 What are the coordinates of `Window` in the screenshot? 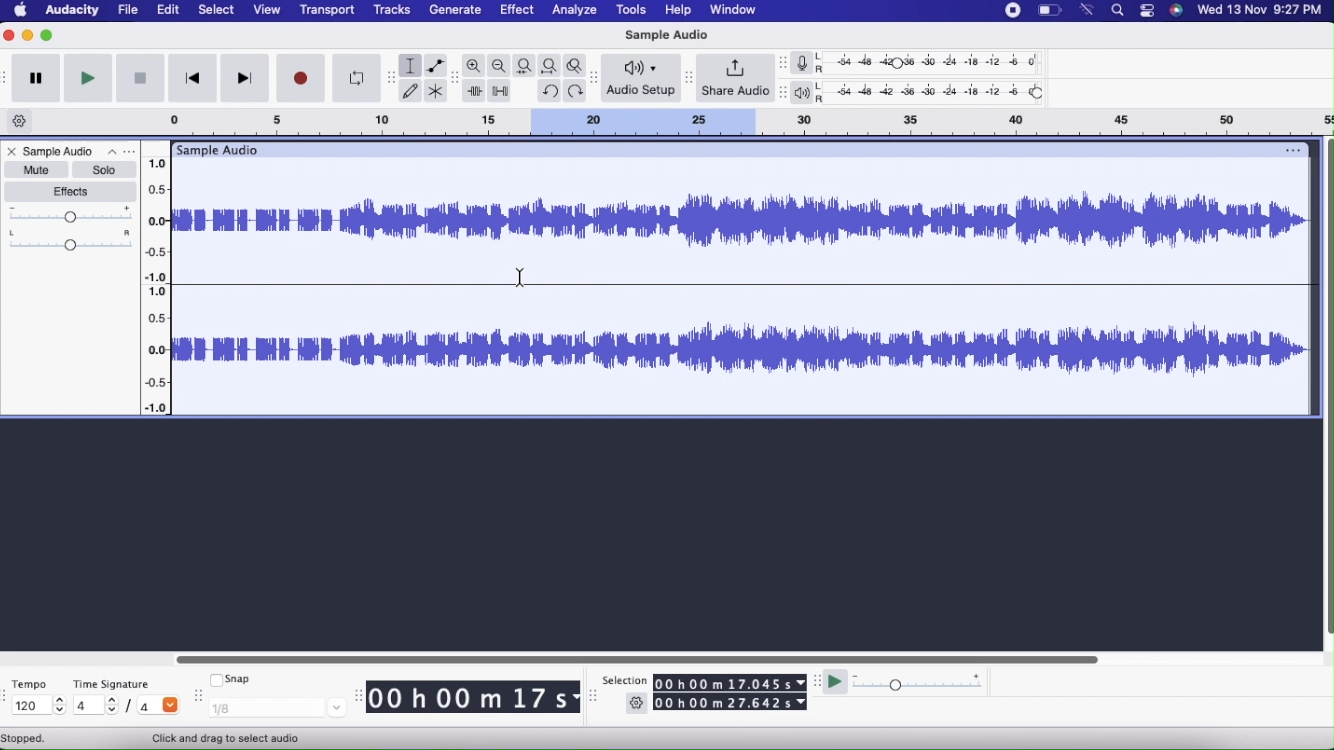 It's located at (744, 9).